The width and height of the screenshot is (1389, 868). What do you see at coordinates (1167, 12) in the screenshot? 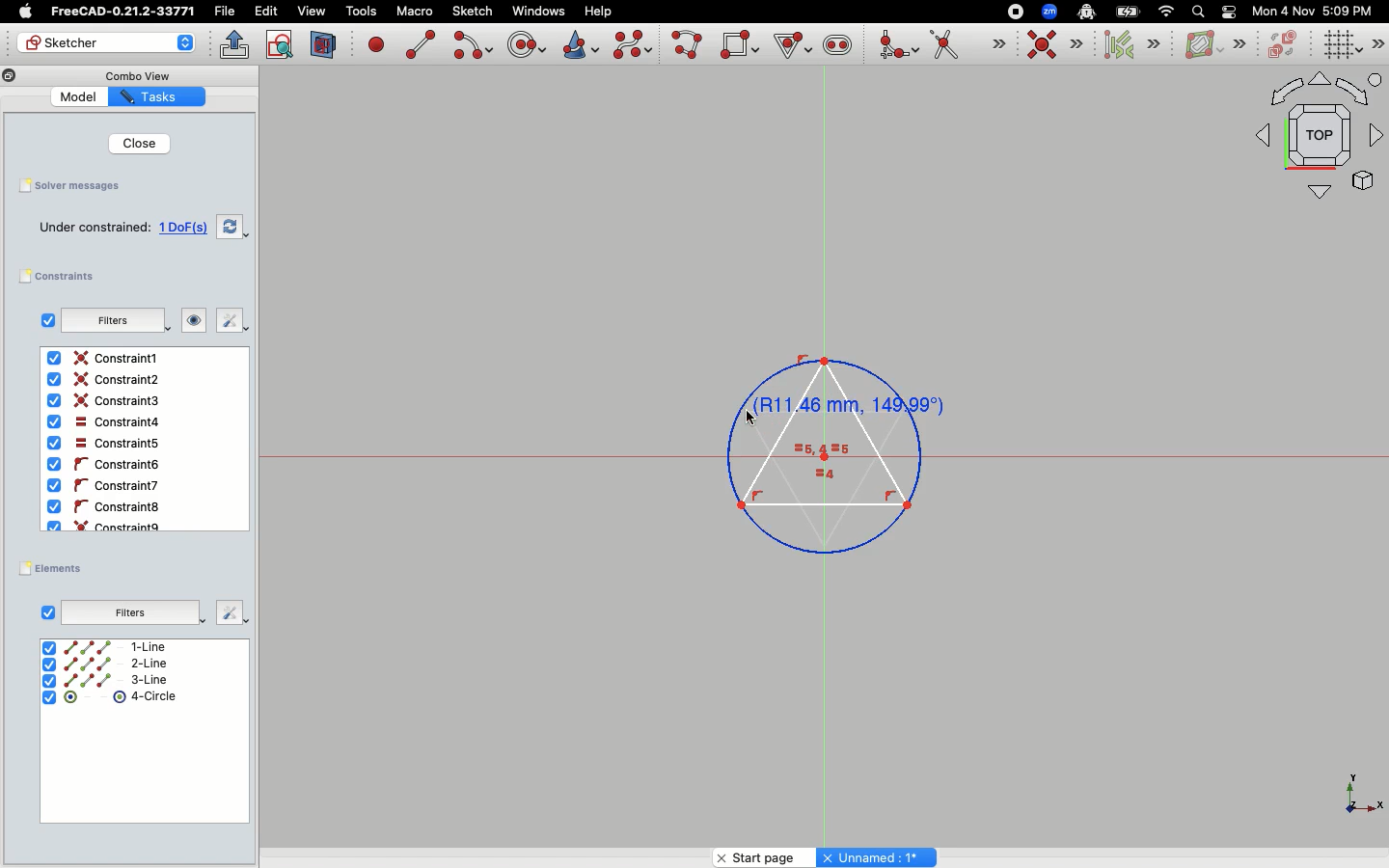
I see `Network` at bounding box center [1167, 12].